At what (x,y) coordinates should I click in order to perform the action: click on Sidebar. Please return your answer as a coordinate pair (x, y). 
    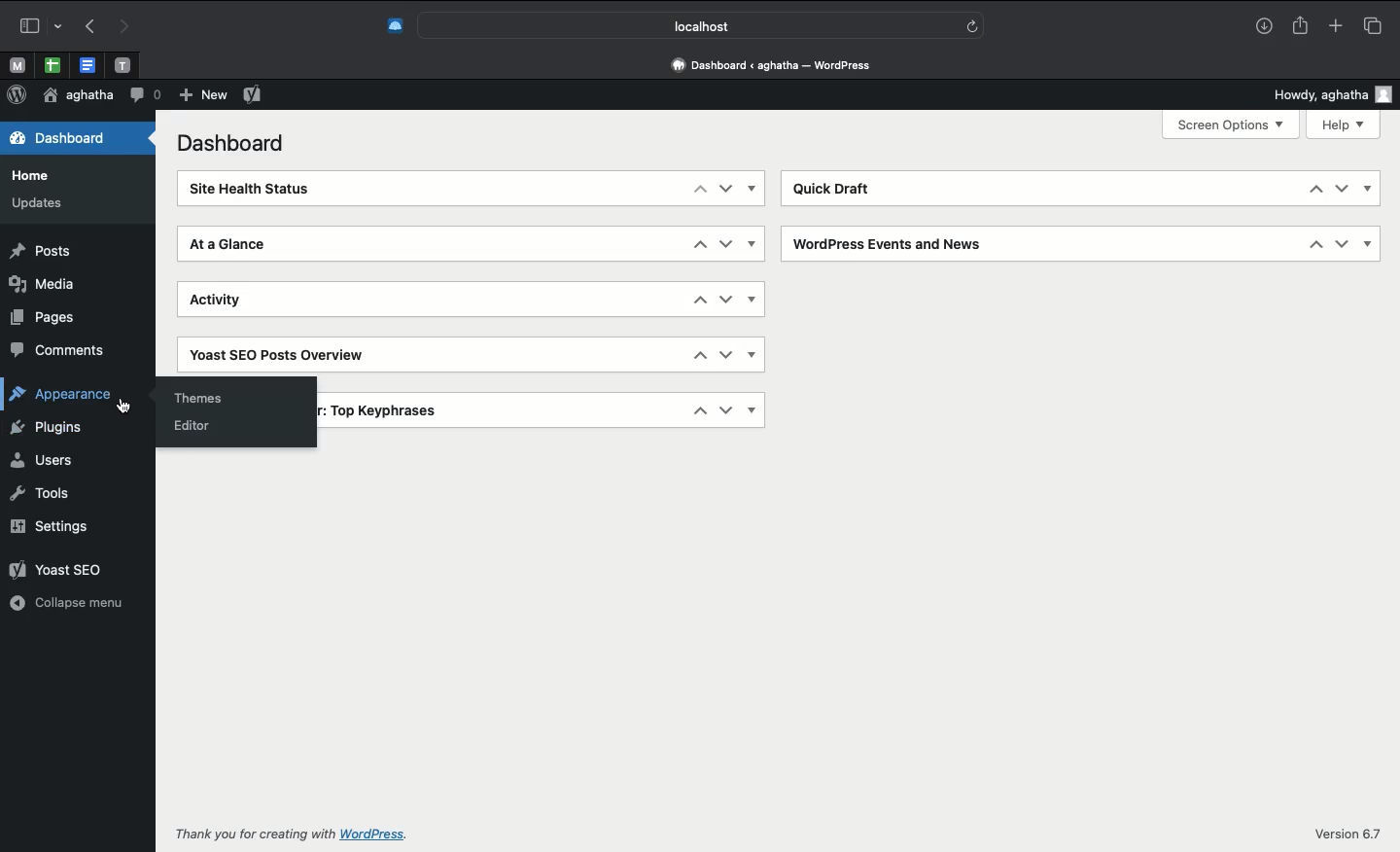
    Looking at the image, I should click on (36, 26).